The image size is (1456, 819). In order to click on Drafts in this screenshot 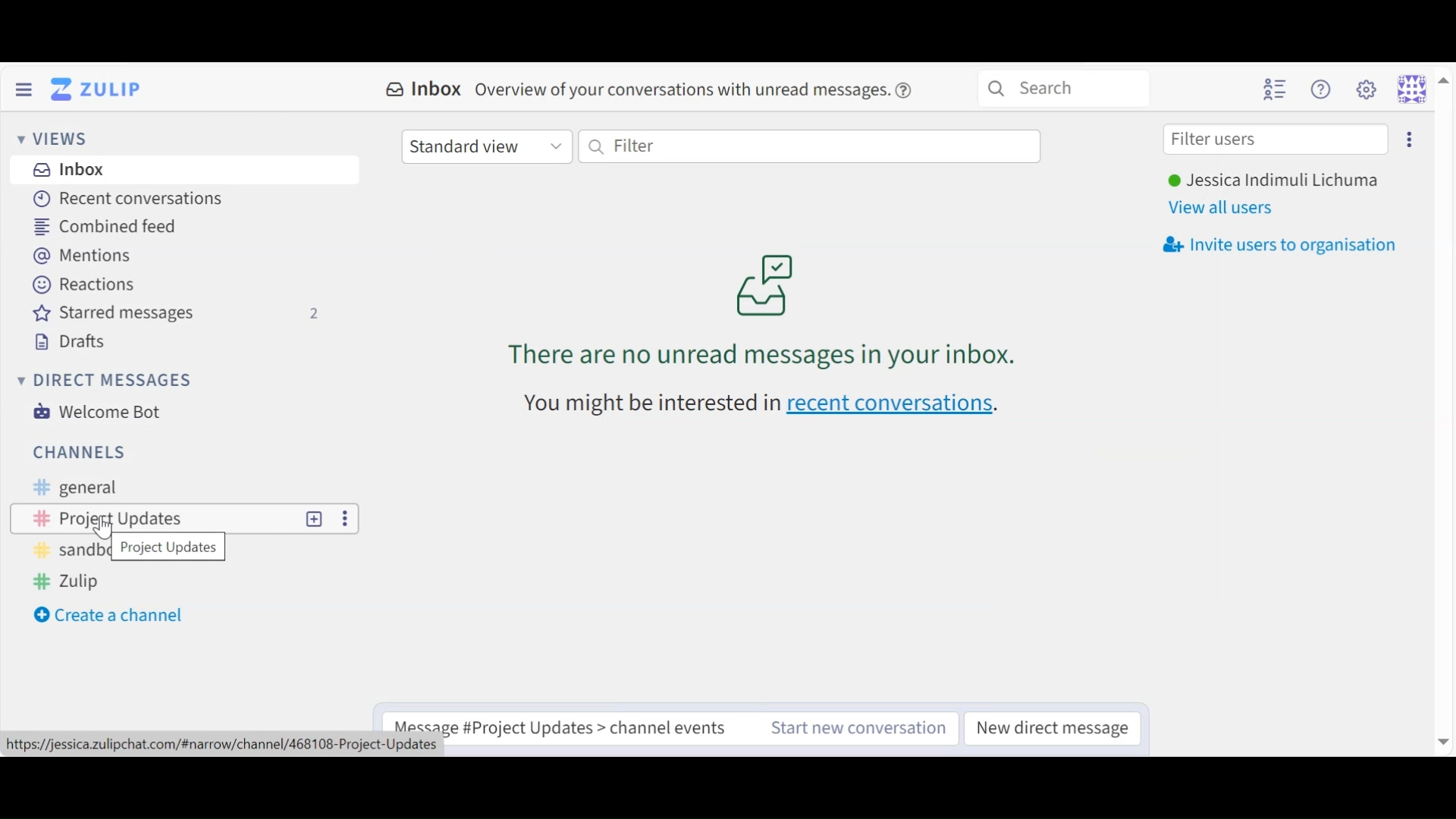, I will do `click(77, 340)`.